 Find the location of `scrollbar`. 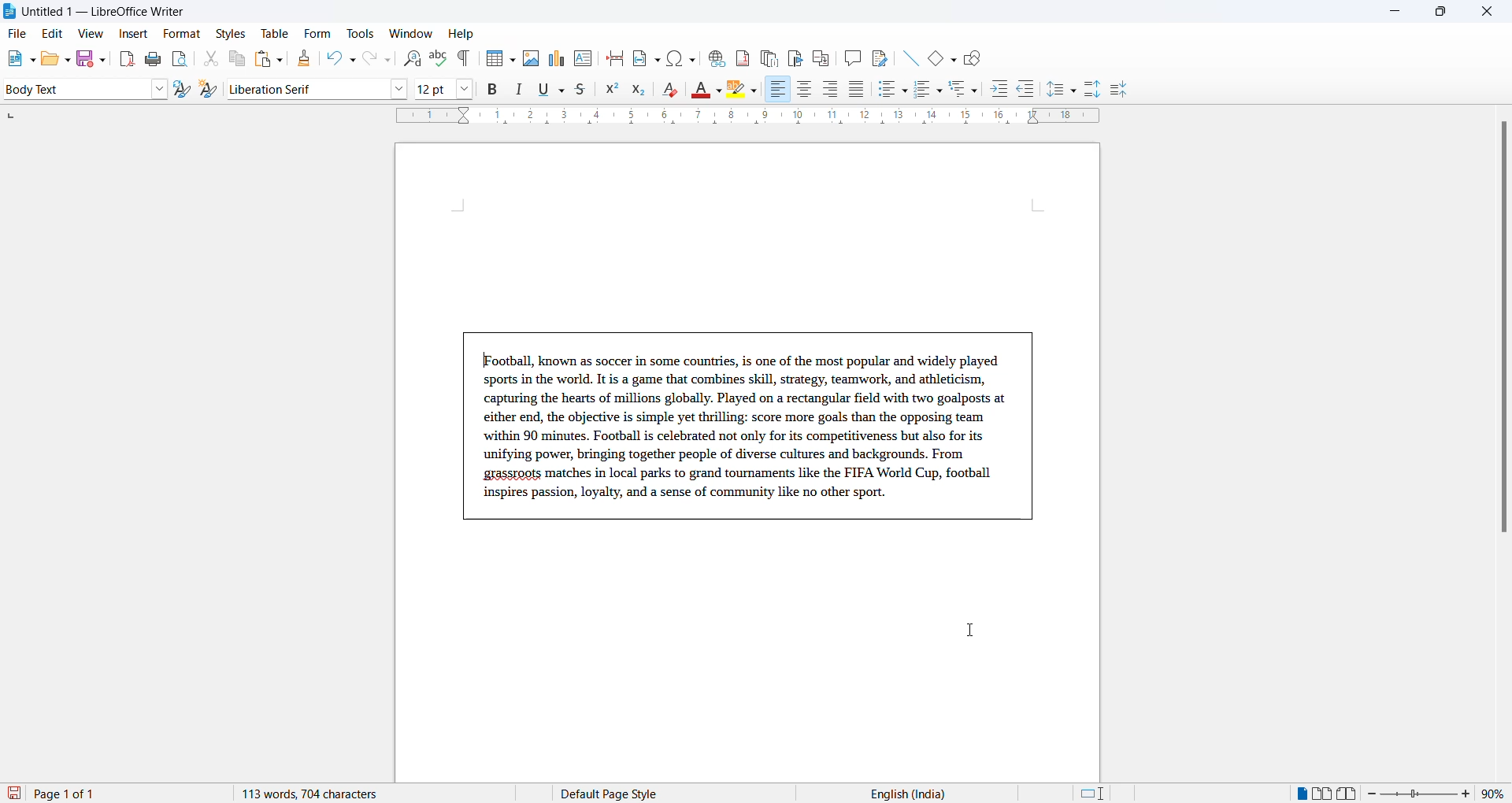

scrollbar is located at coordinates (1503, 335).